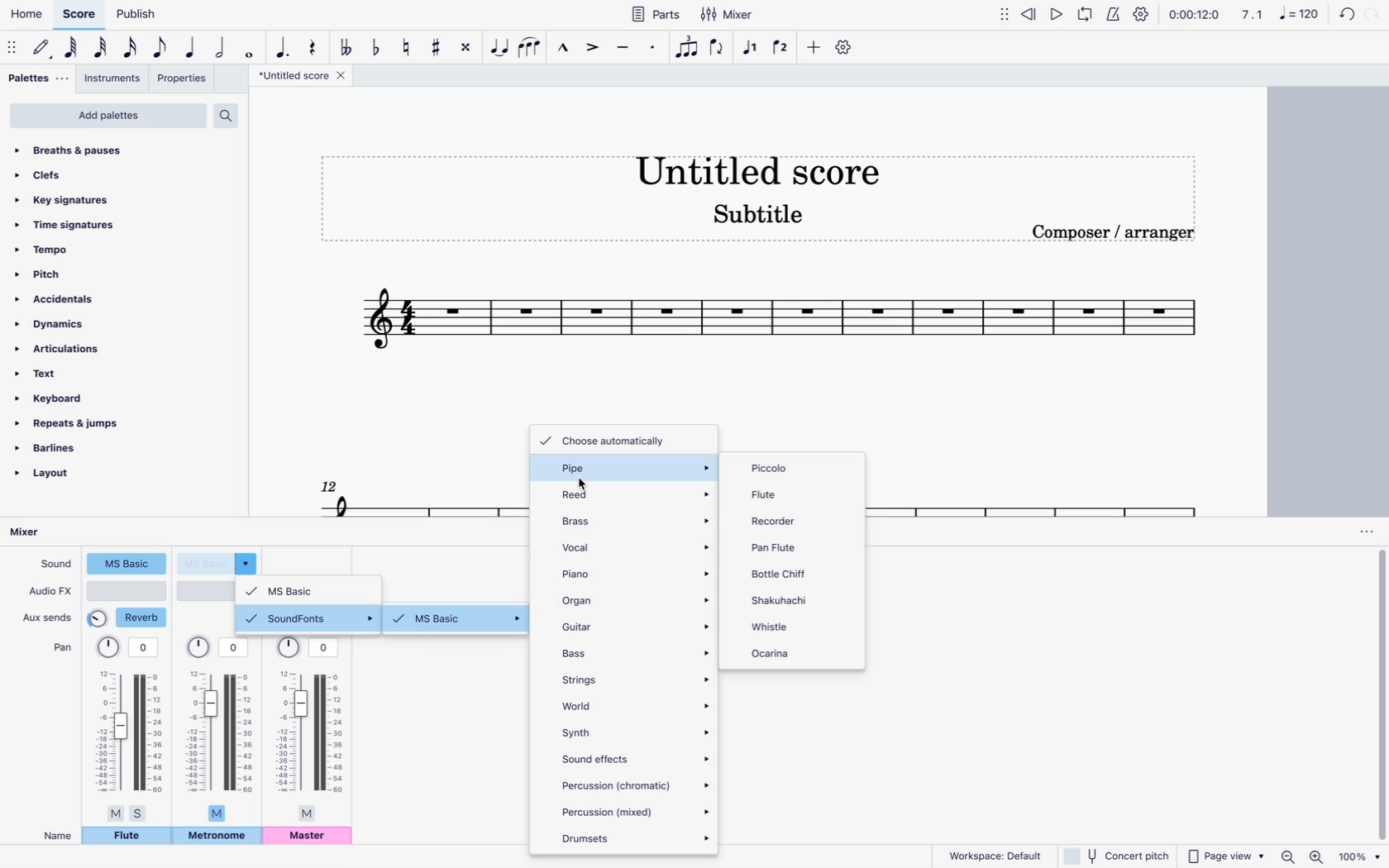 Image resolution: width=1389 pixels, height=868 pixels. I want to click on sound type, so click(220, 562).